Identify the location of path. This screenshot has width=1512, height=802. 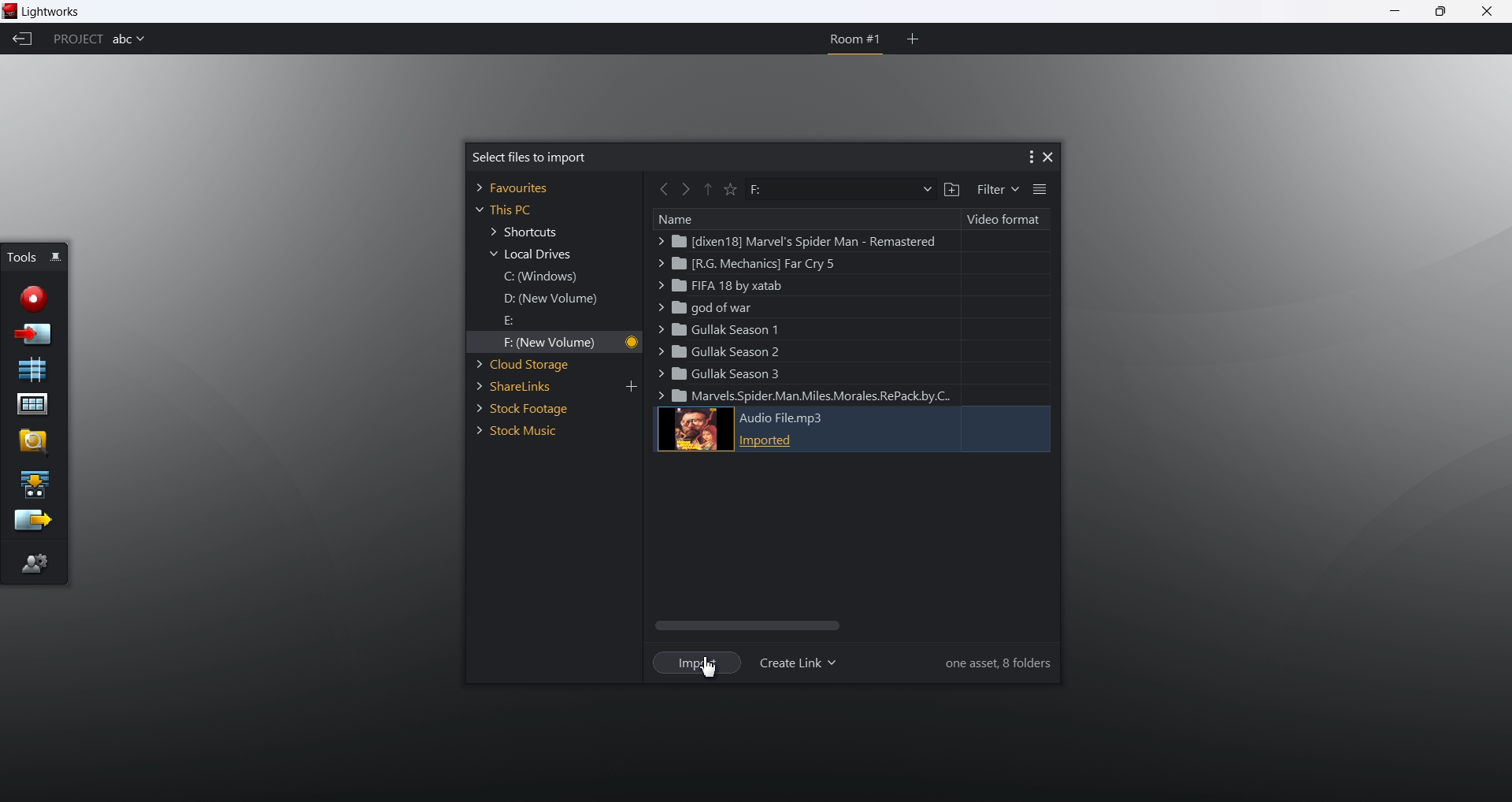
(802, 191).